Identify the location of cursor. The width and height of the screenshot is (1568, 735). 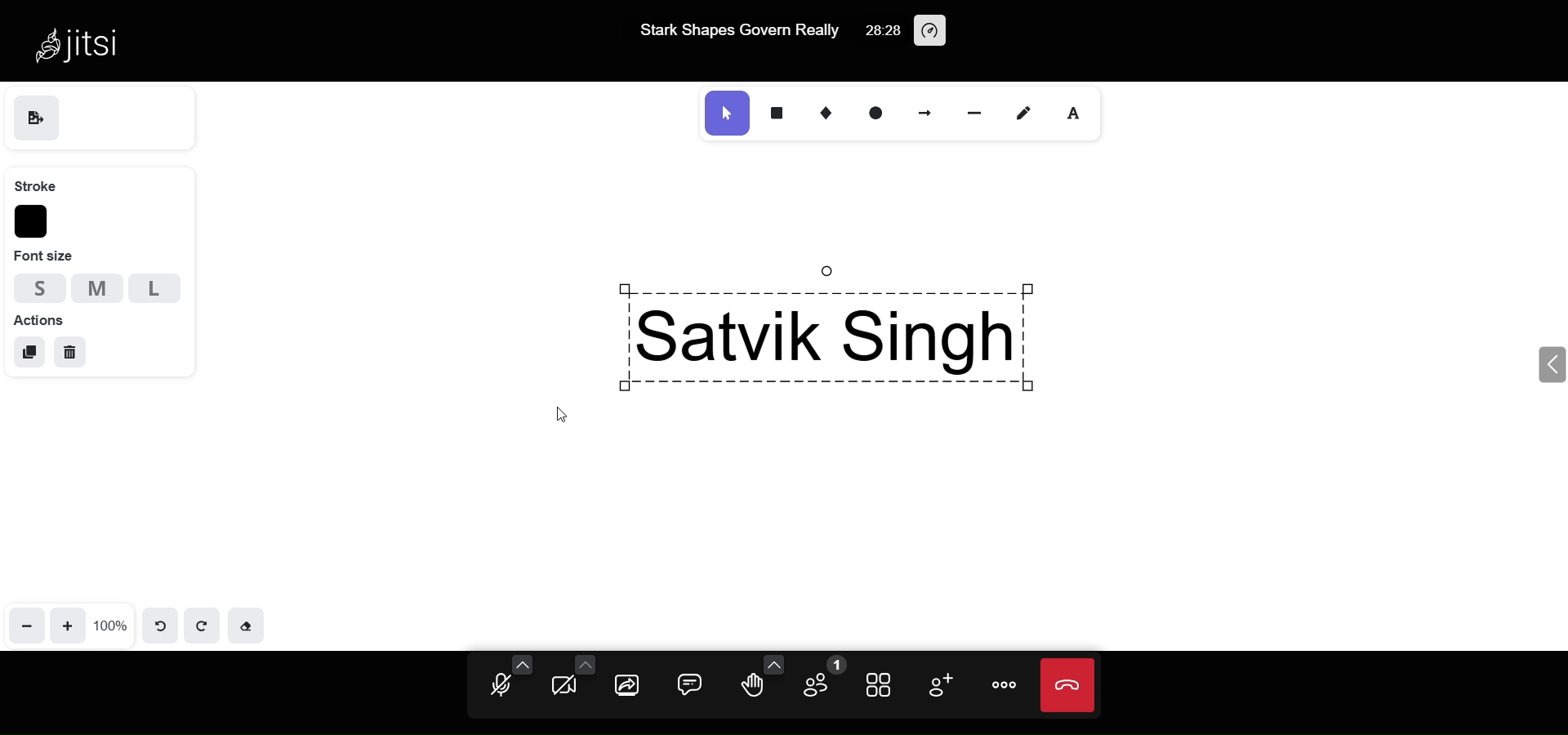
(567, 415).